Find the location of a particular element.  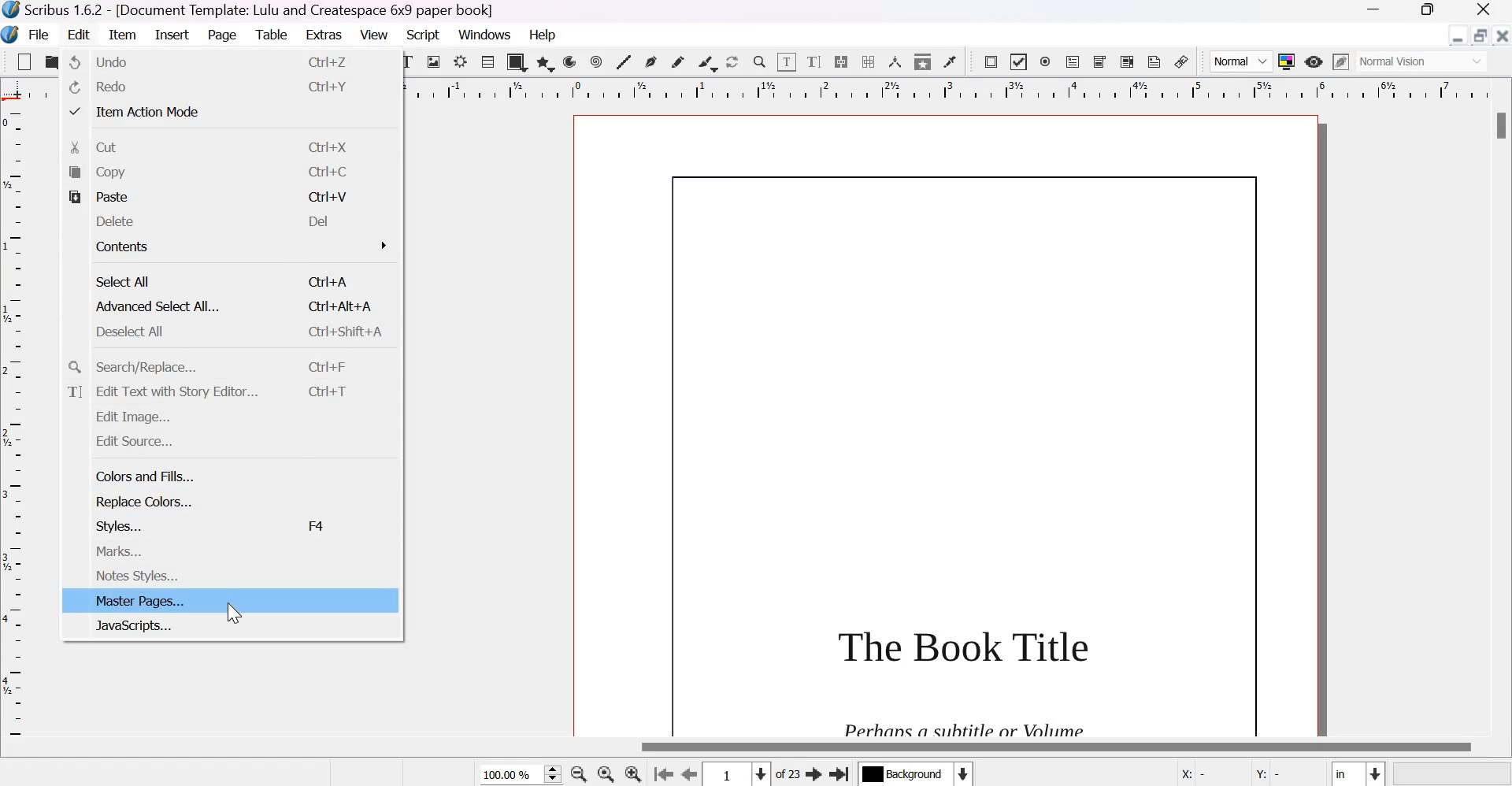

copy is located at coordinates (222, 174).